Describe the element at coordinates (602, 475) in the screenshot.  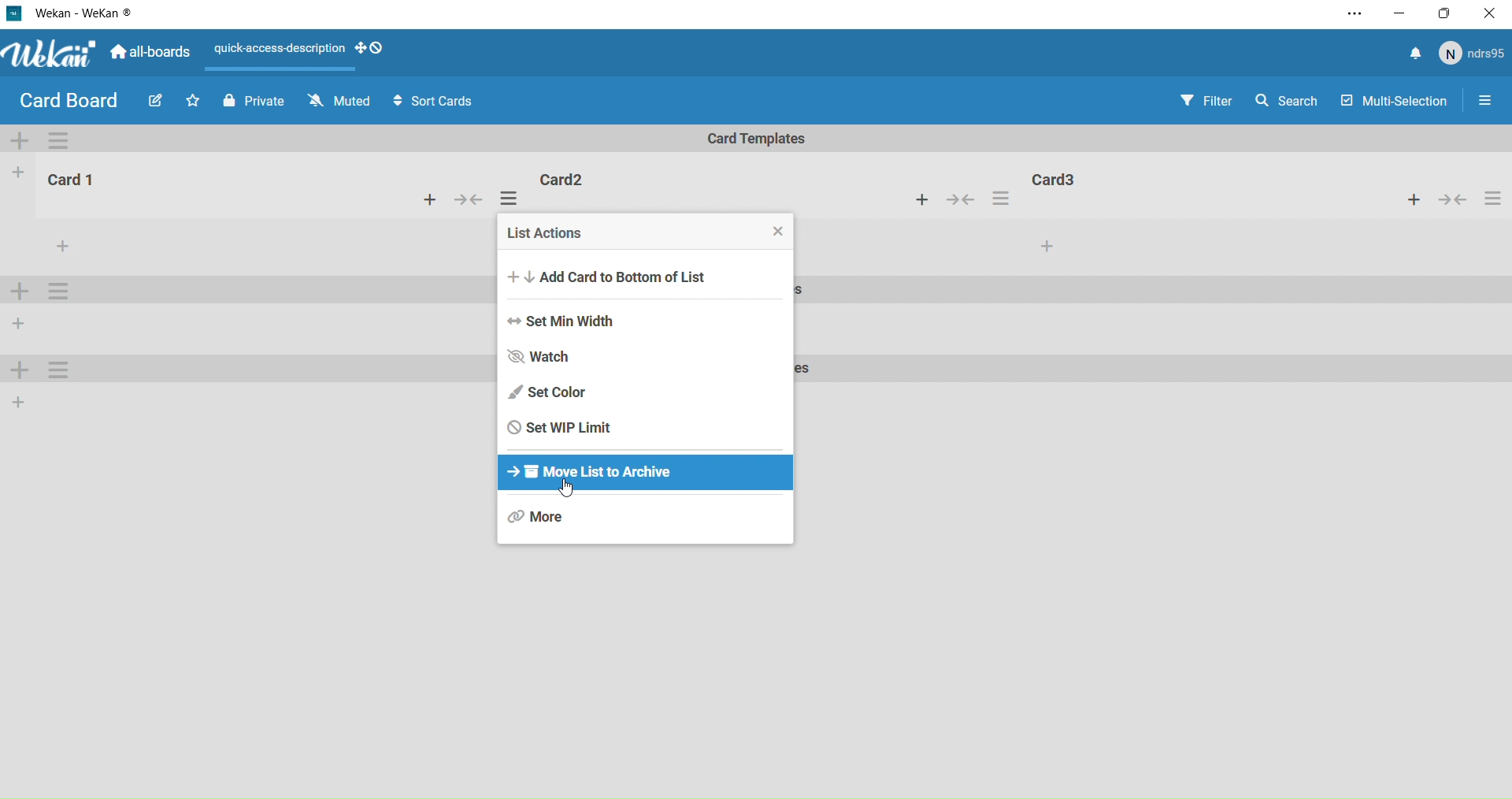
I see `Move list to archive` at that location.